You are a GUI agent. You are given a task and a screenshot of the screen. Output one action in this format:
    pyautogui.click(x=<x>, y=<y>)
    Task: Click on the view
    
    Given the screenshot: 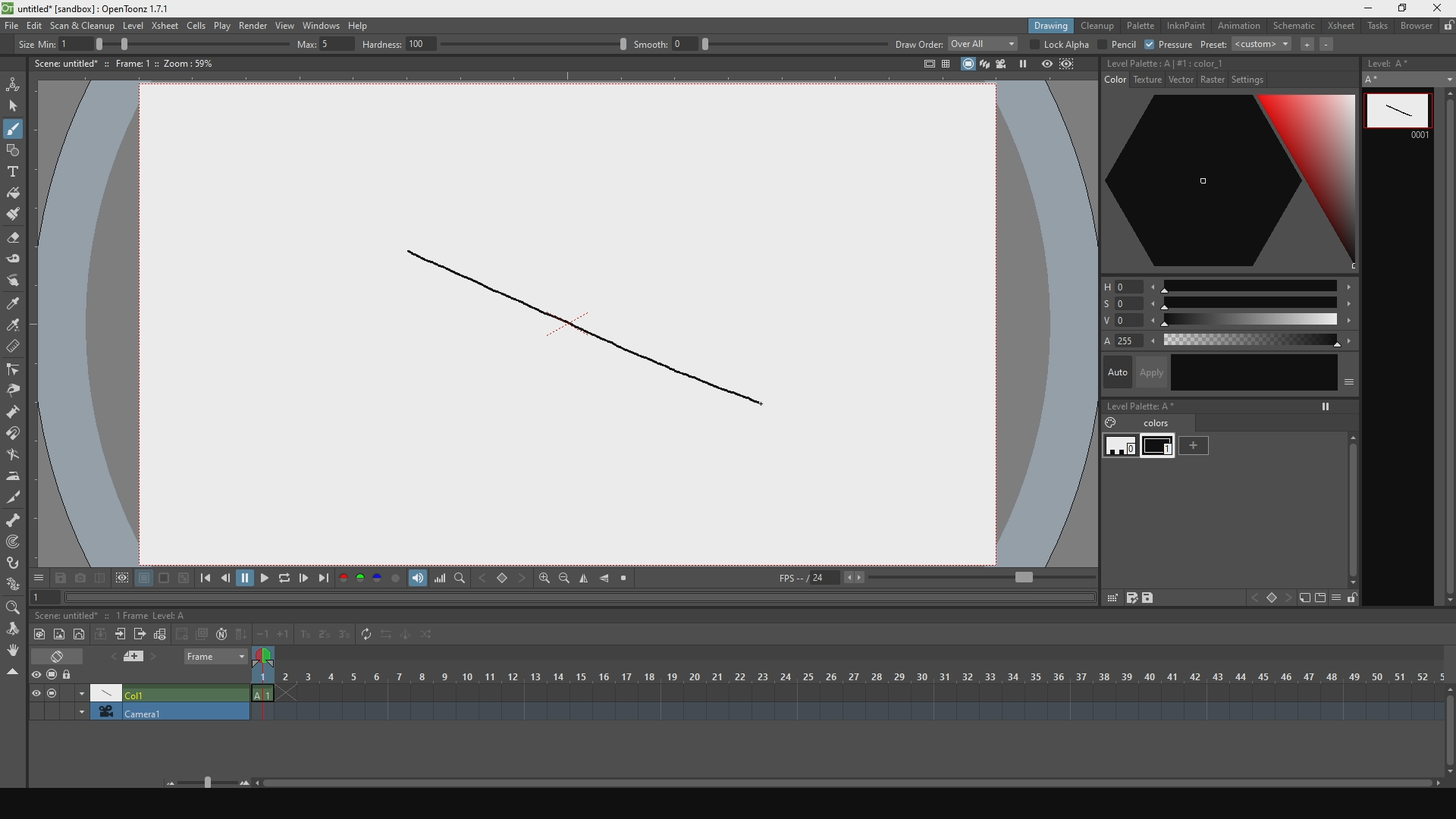 What is the action you would take?
    pyautogui.click(x=282, y=24)
    